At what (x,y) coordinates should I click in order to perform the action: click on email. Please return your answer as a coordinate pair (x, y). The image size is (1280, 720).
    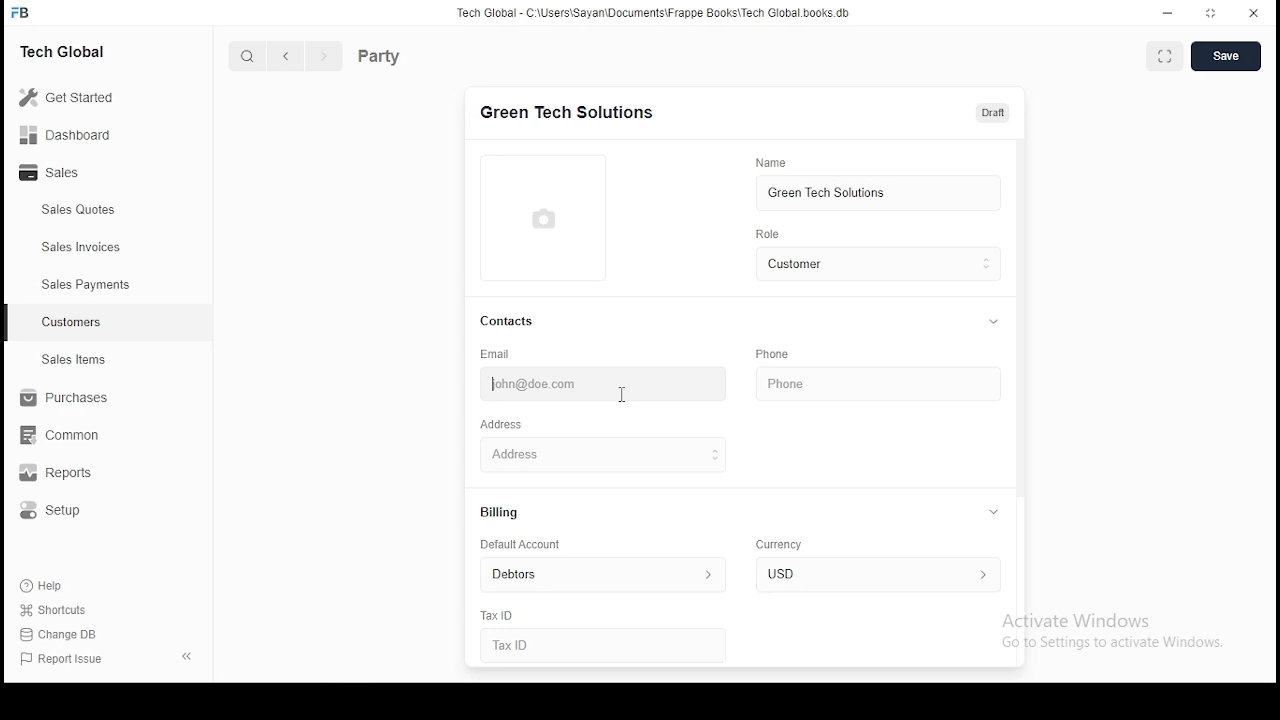
    Looking at the image, I should click on (497, 354).